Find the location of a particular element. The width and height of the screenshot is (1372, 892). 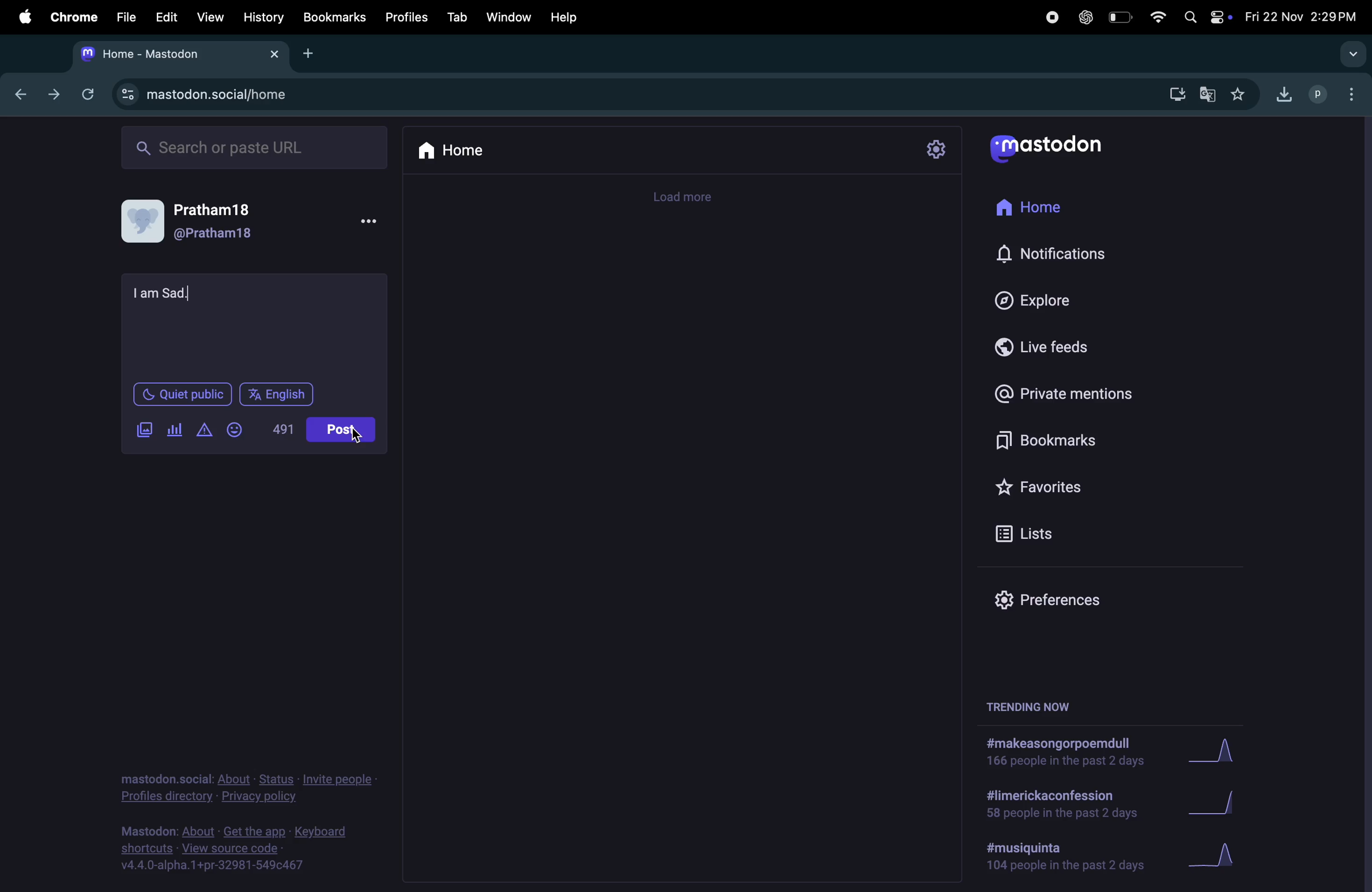

refresh is located at coordinates (88, 95).